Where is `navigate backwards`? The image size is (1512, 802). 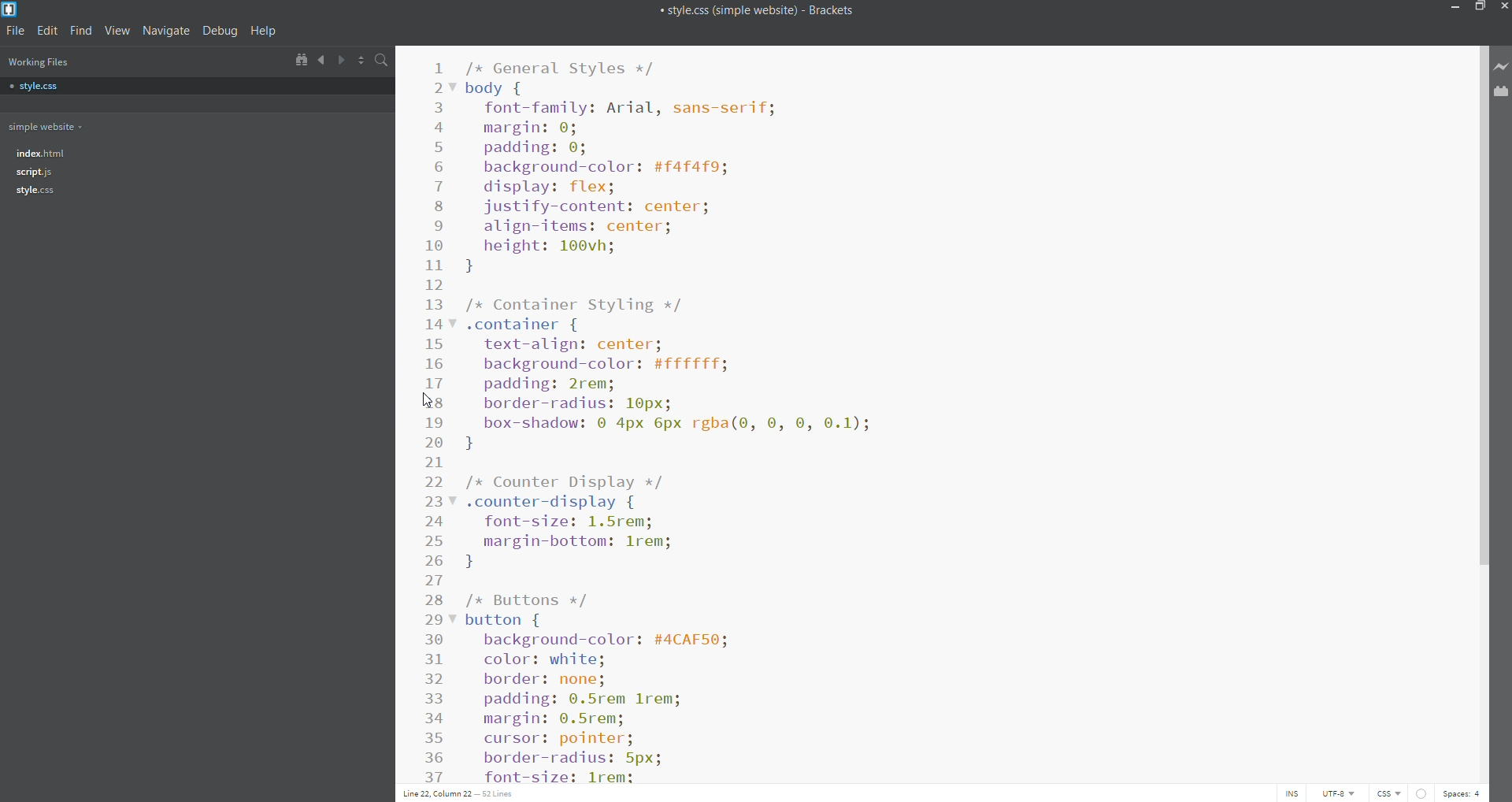 navigate backwards is located at coordinates (321, 61).